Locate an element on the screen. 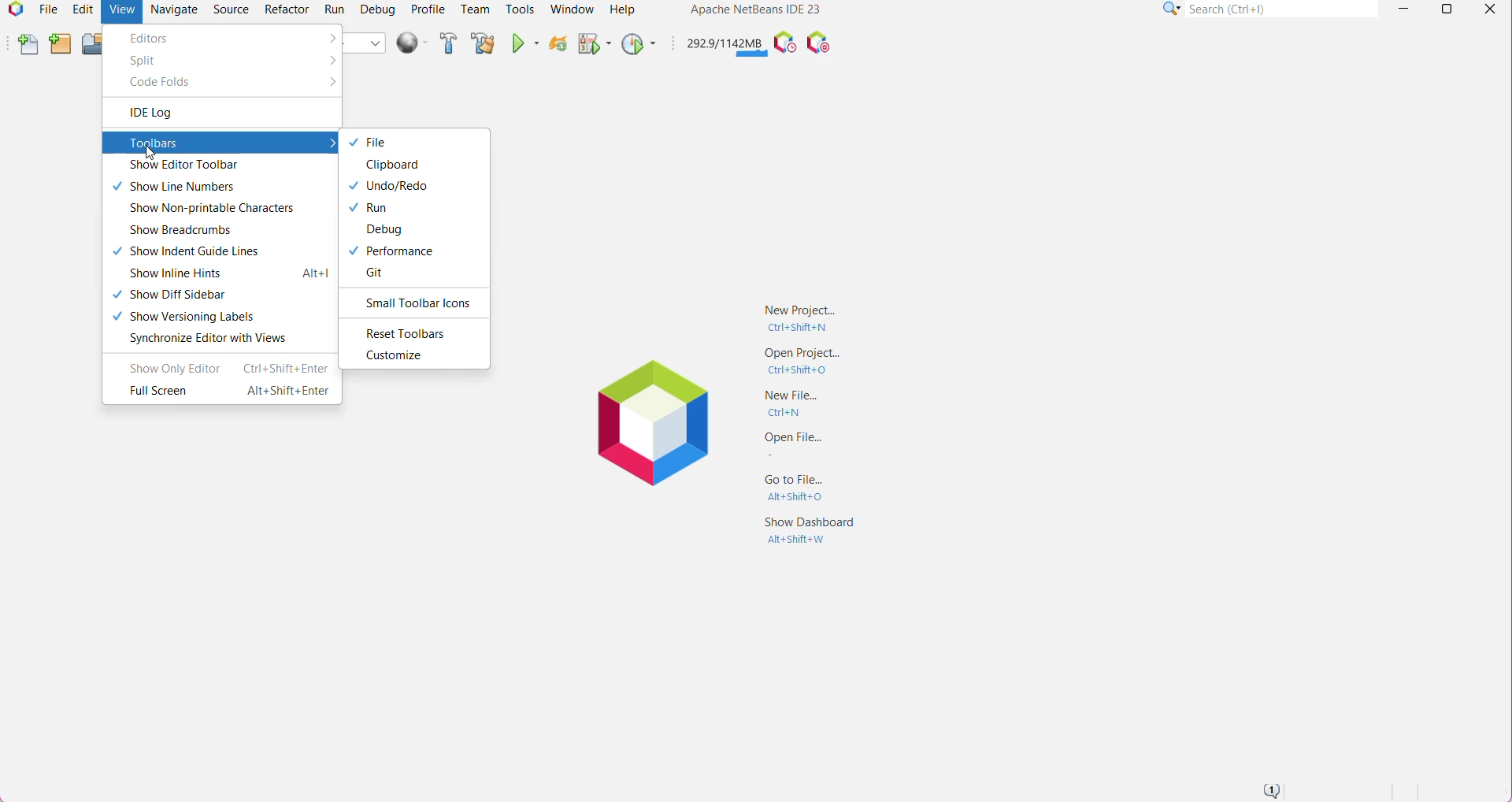 The width and height of the screenshot is (1512, 802). Show Dashboard is located at coordinates (810, 537).